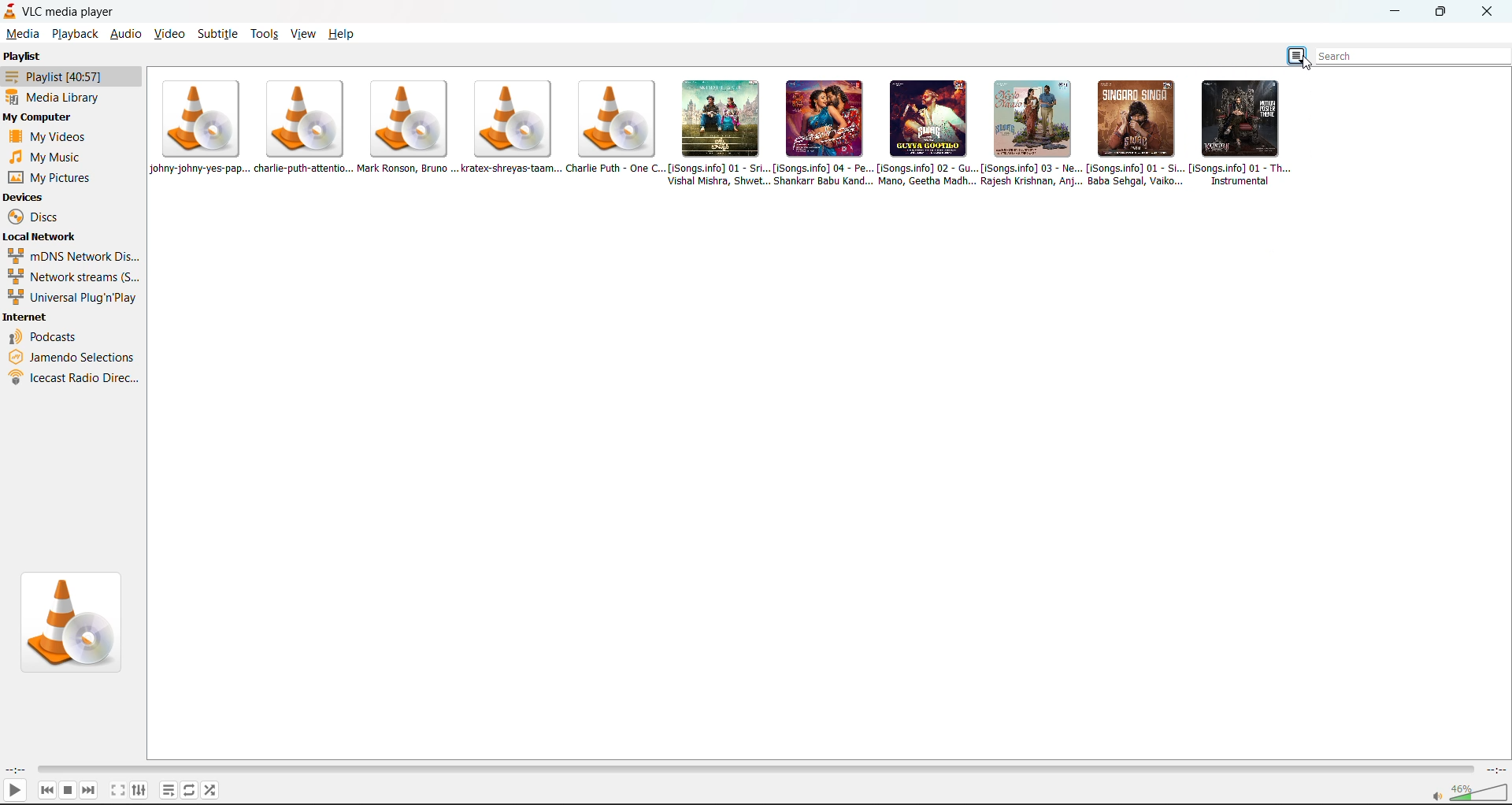 This screenshot has height=805, width=1512. I want to click on playlist, so click(25, 57).